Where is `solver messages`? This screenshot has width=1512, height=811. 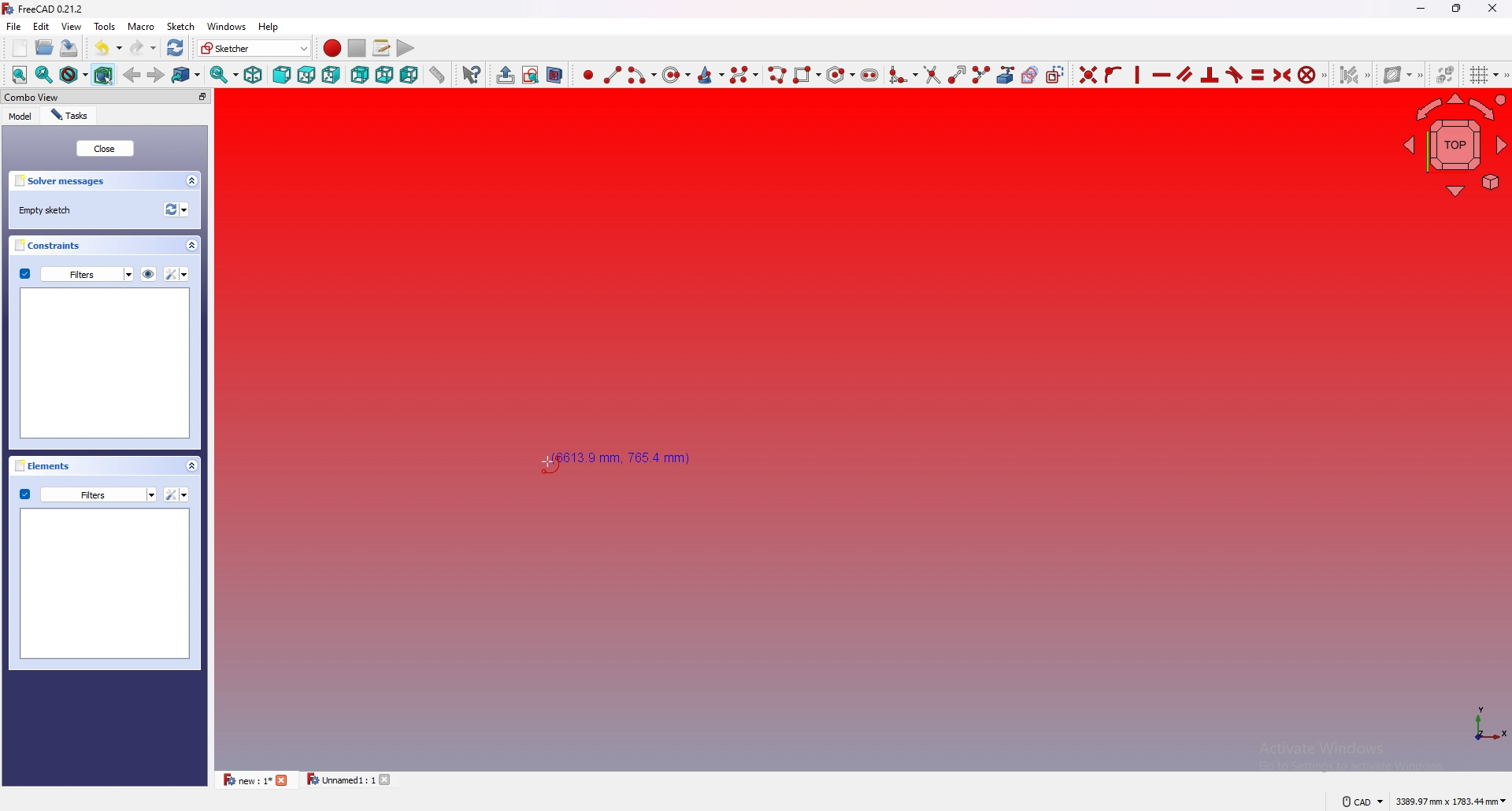
solver messages is located at coordinates (66, 181).